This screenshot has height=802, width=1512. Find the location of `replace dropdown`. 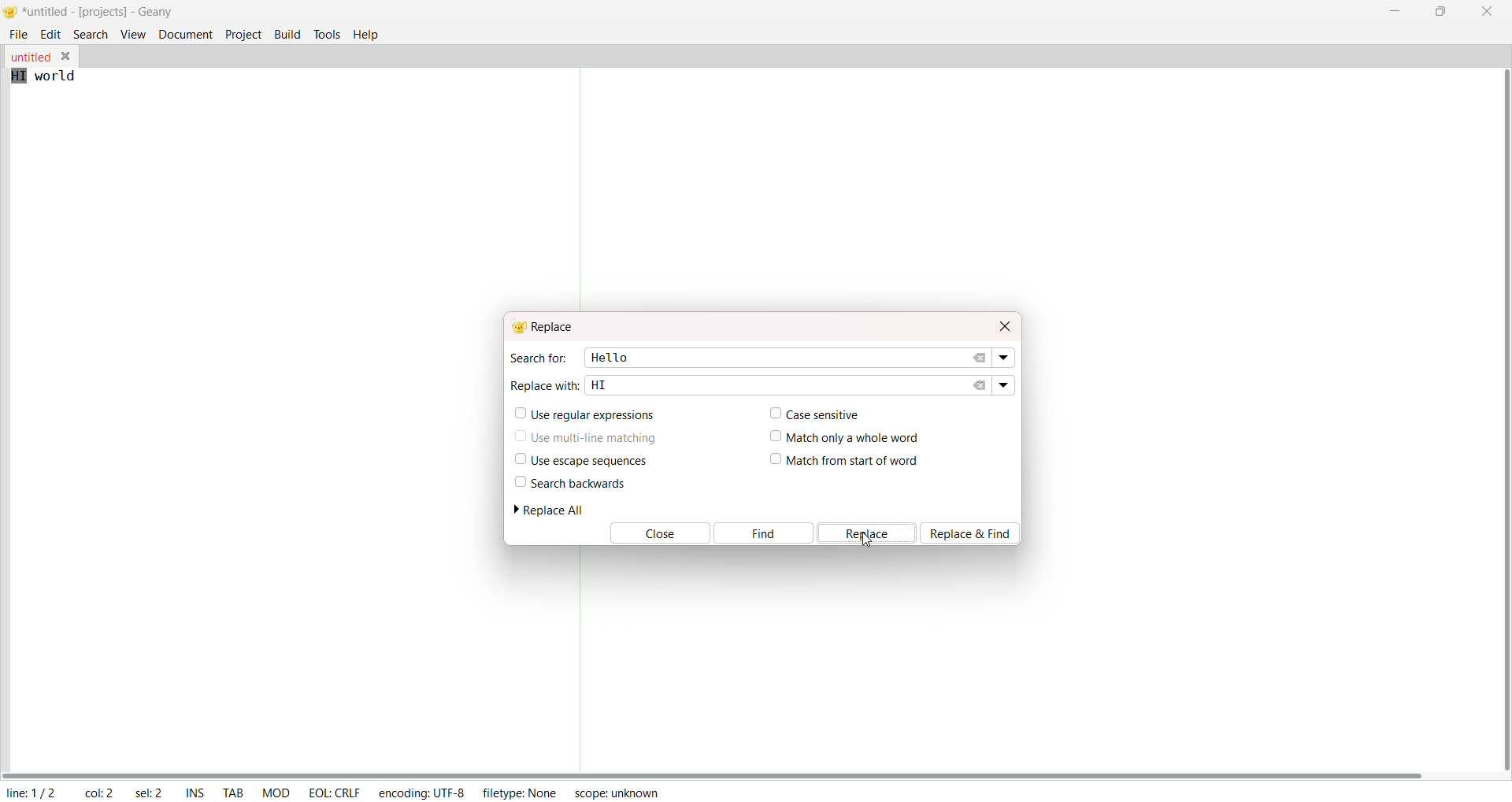

replace dropdown is located at coordinates (1003, 384).